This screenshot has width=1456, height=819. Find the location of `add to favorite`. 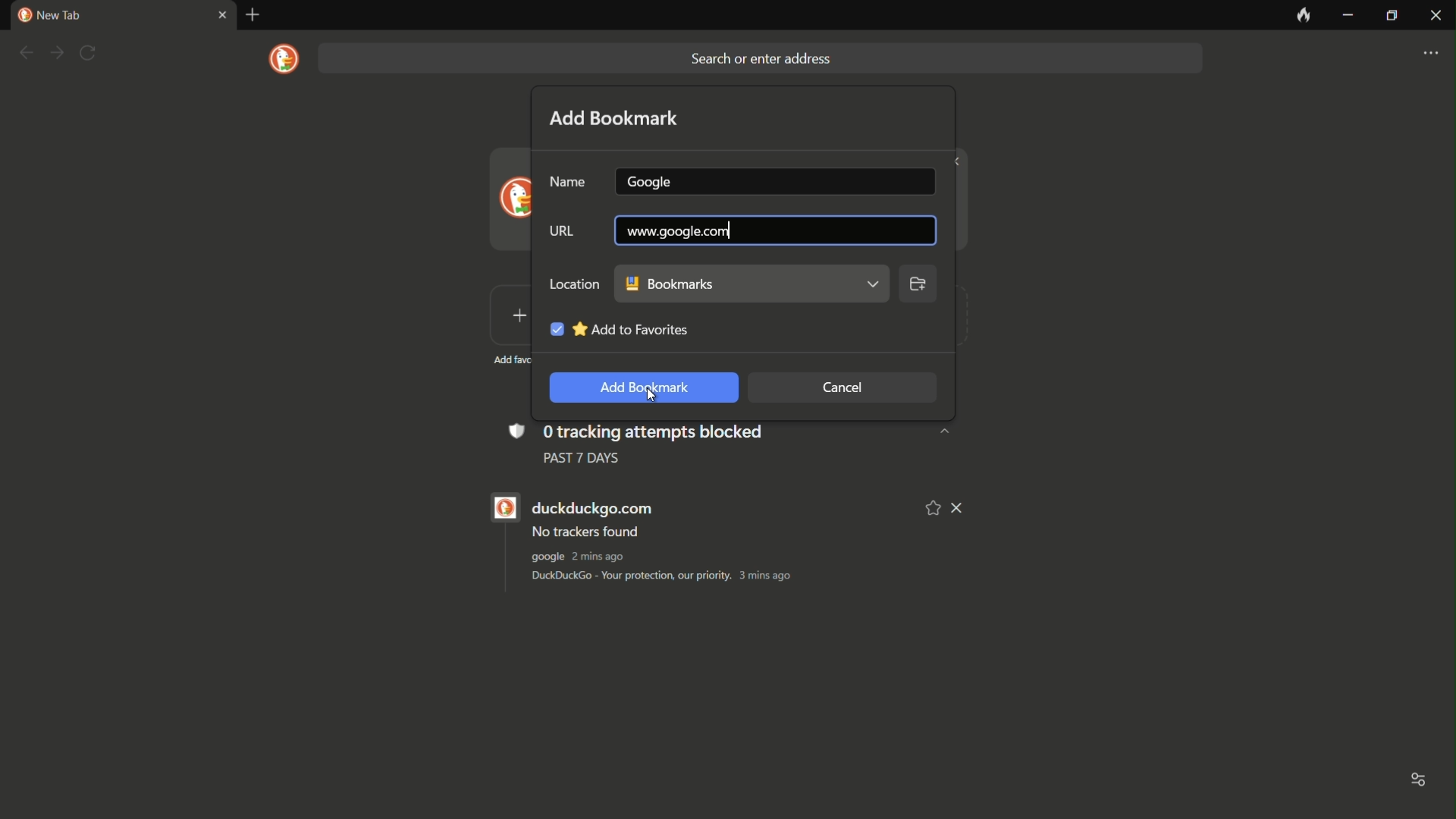

add to favorite is located at coordinates (934, 507).